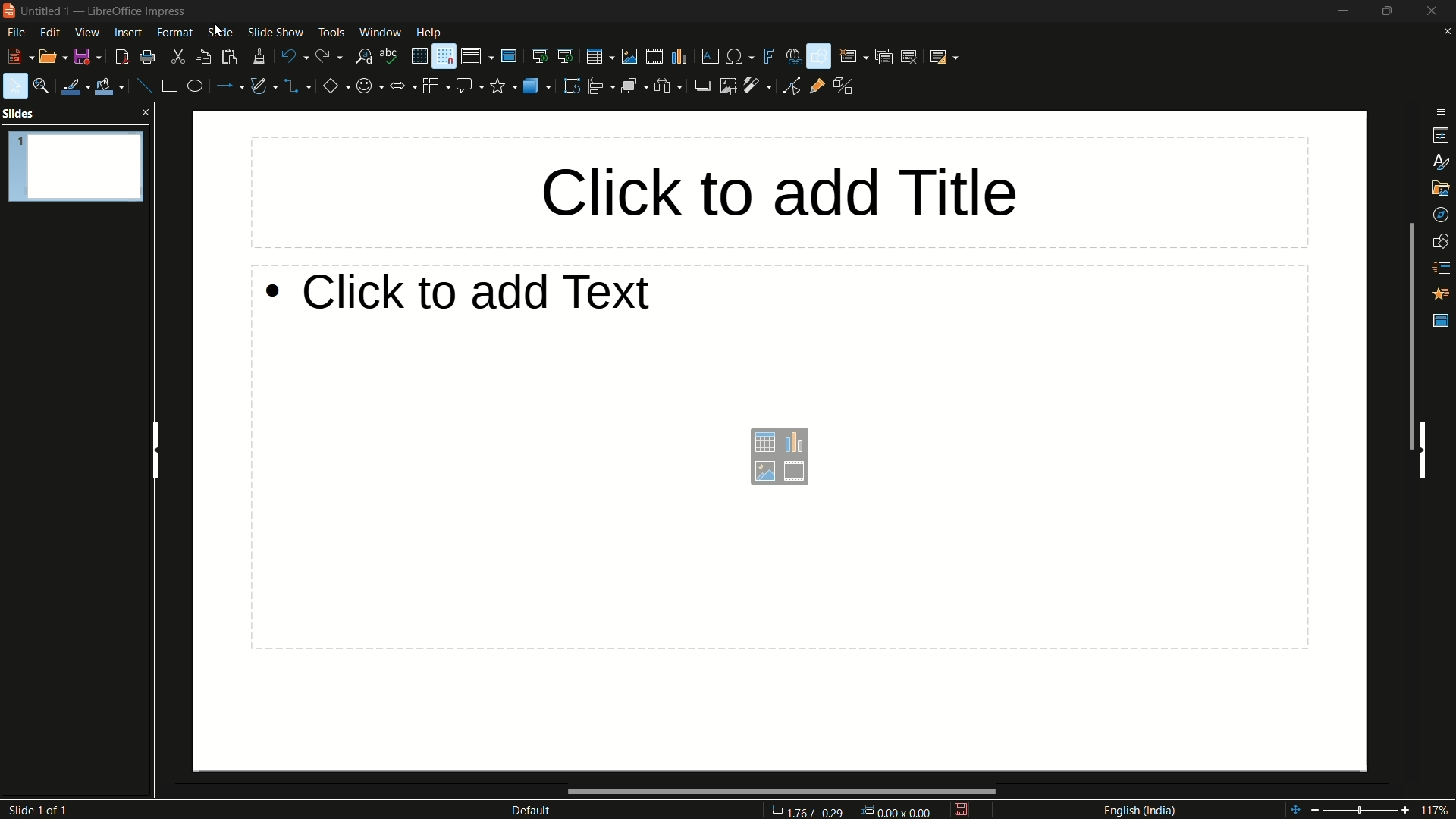 Image resolution: width=1456 pixels, height=819 pixels. Describe the element at coordinates (220, 33) in the screenshot. I see `slide menu` at that location.